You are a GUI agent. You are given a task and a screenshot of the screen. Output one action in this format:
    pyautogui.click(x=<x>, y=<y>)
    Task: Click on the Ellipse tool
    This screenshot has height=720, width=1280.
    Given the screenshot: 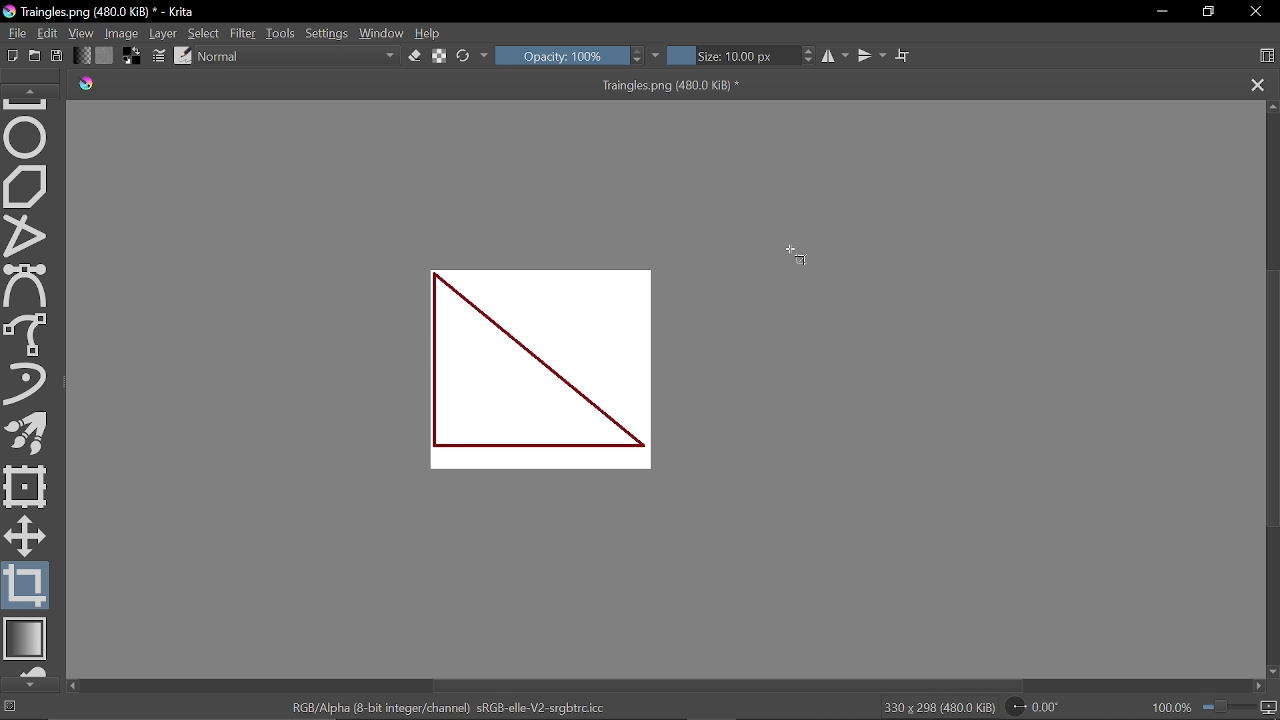 What is the action you would take?
    pyautogui.click(x=27, y=136)
    